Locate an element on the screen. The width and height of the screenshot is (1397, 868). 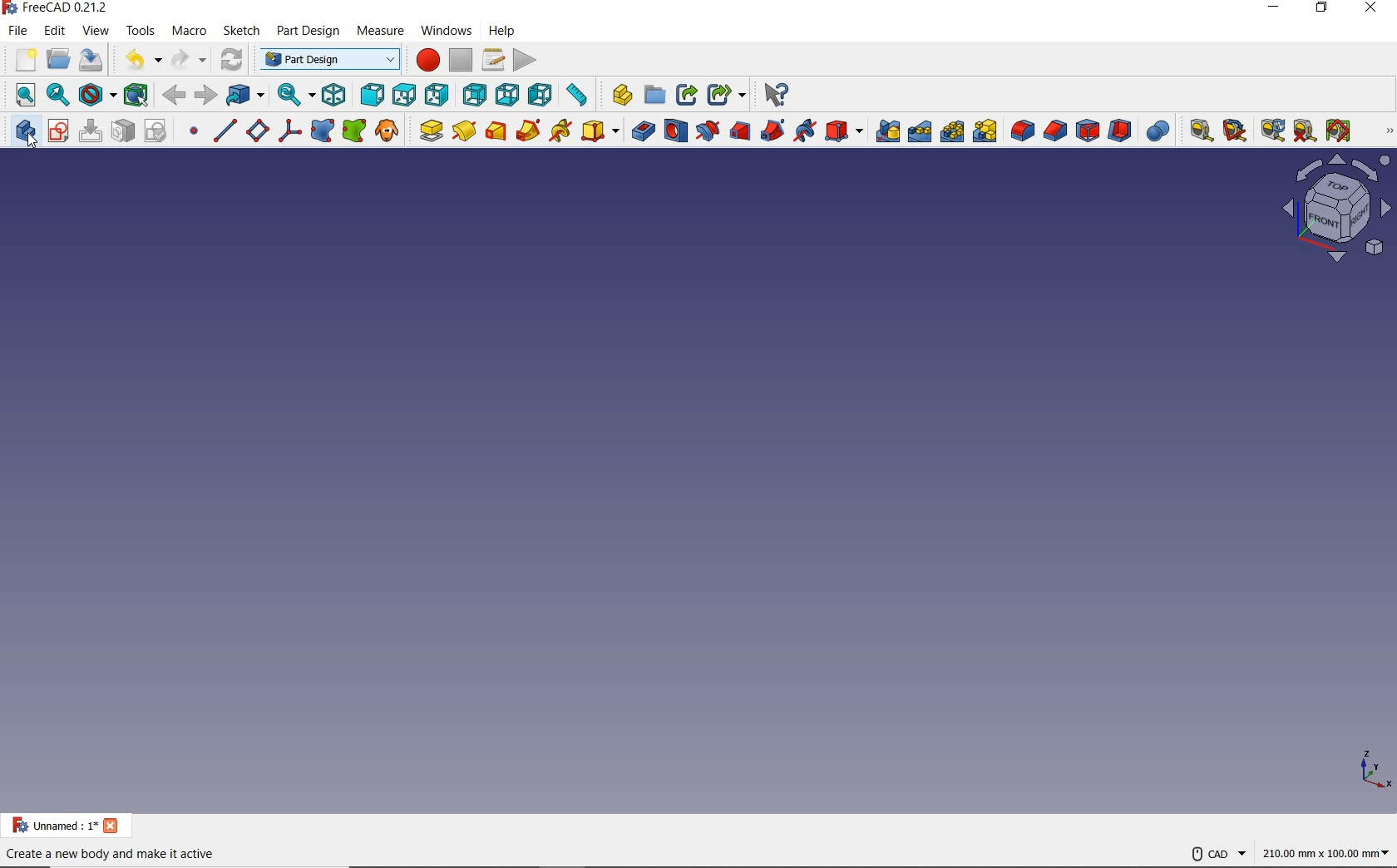
Measure is located at coordinates (379, 31).